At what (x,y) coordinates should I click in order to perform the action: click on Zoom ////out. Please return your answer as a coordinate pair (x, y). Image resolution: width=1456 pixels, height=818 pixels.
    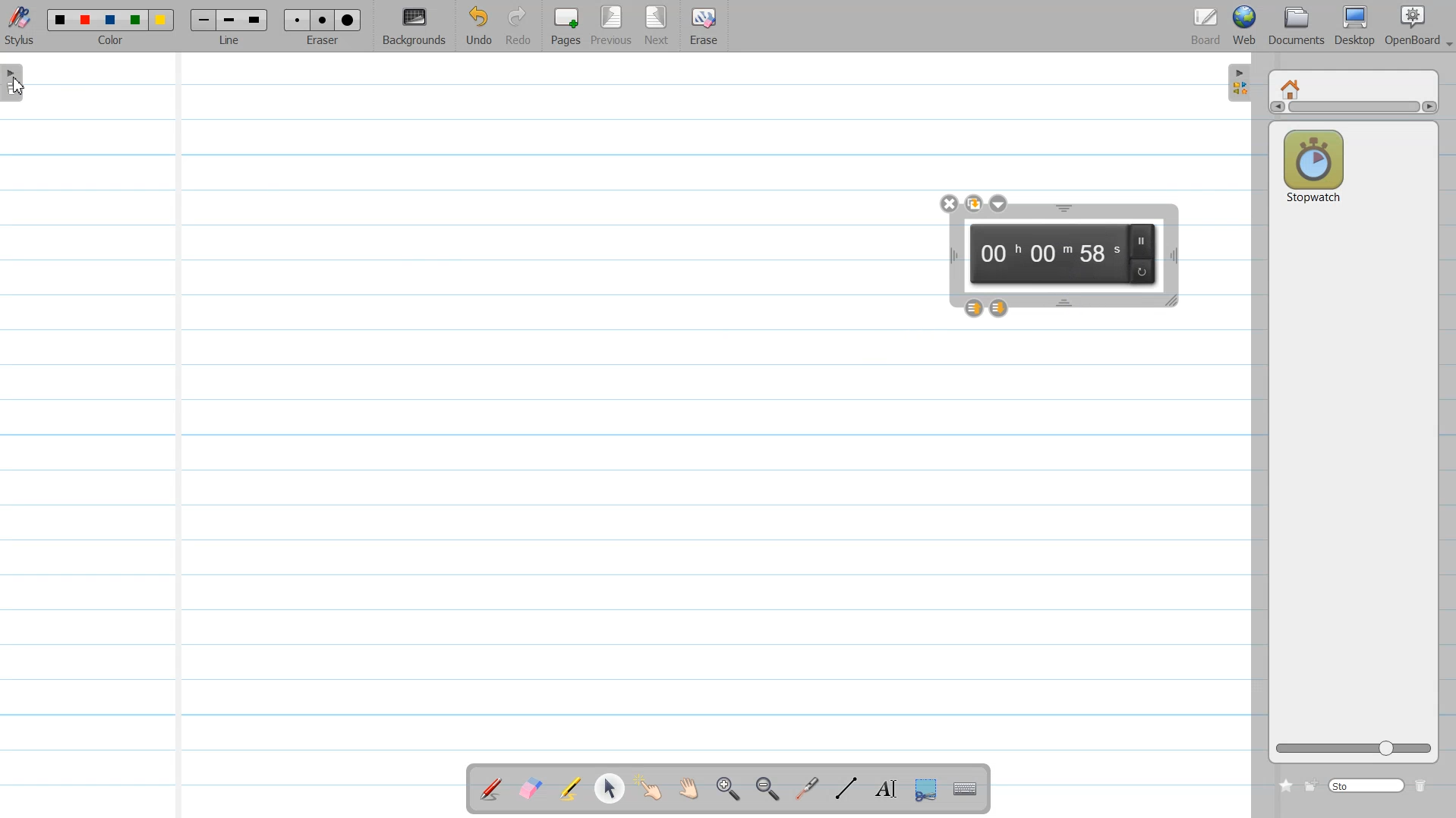
    Looking at the image, I should click on (768, 788).